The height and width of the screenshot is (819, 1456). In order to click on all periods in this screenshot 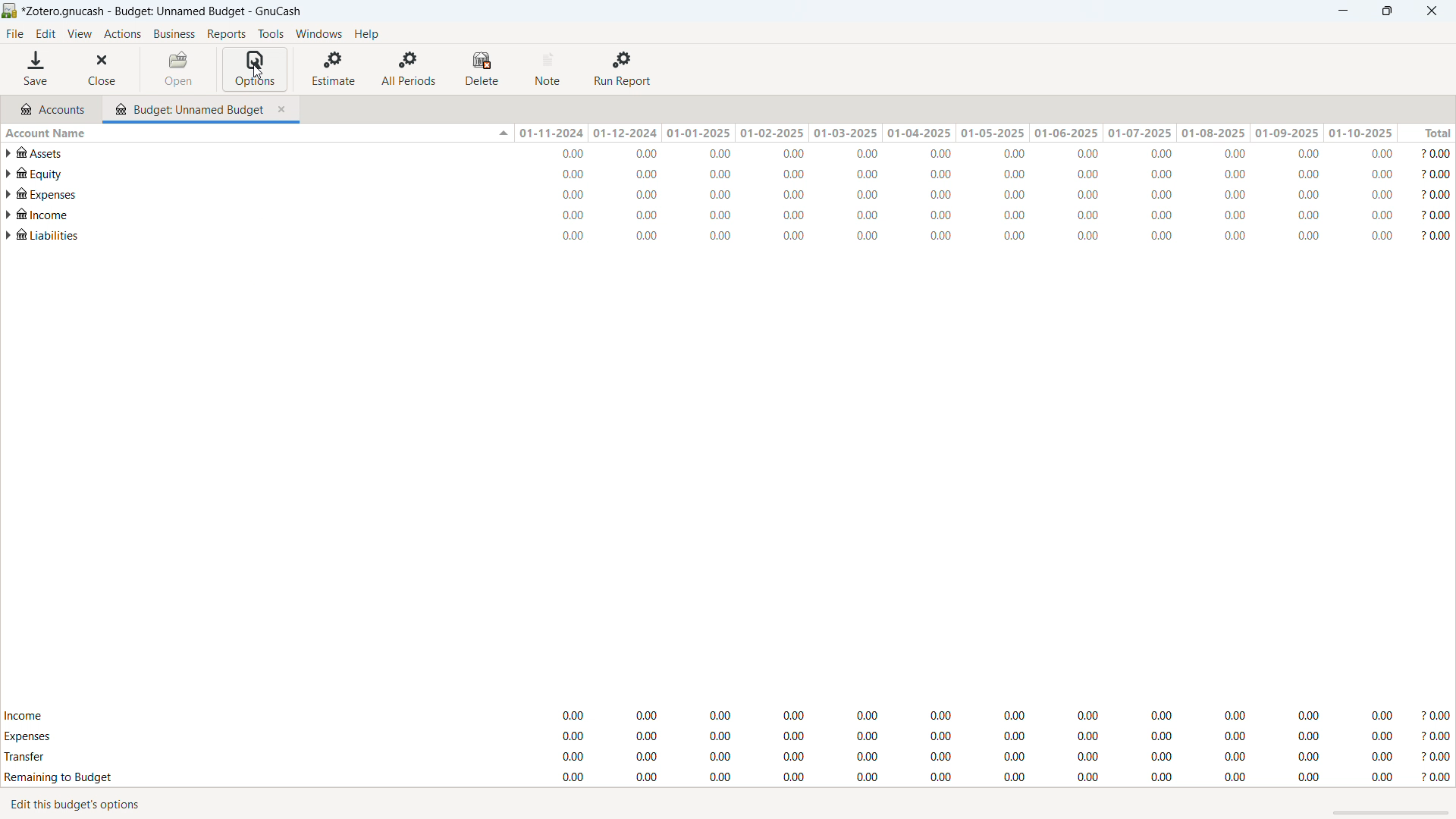, I will do `click(409, 68)`.